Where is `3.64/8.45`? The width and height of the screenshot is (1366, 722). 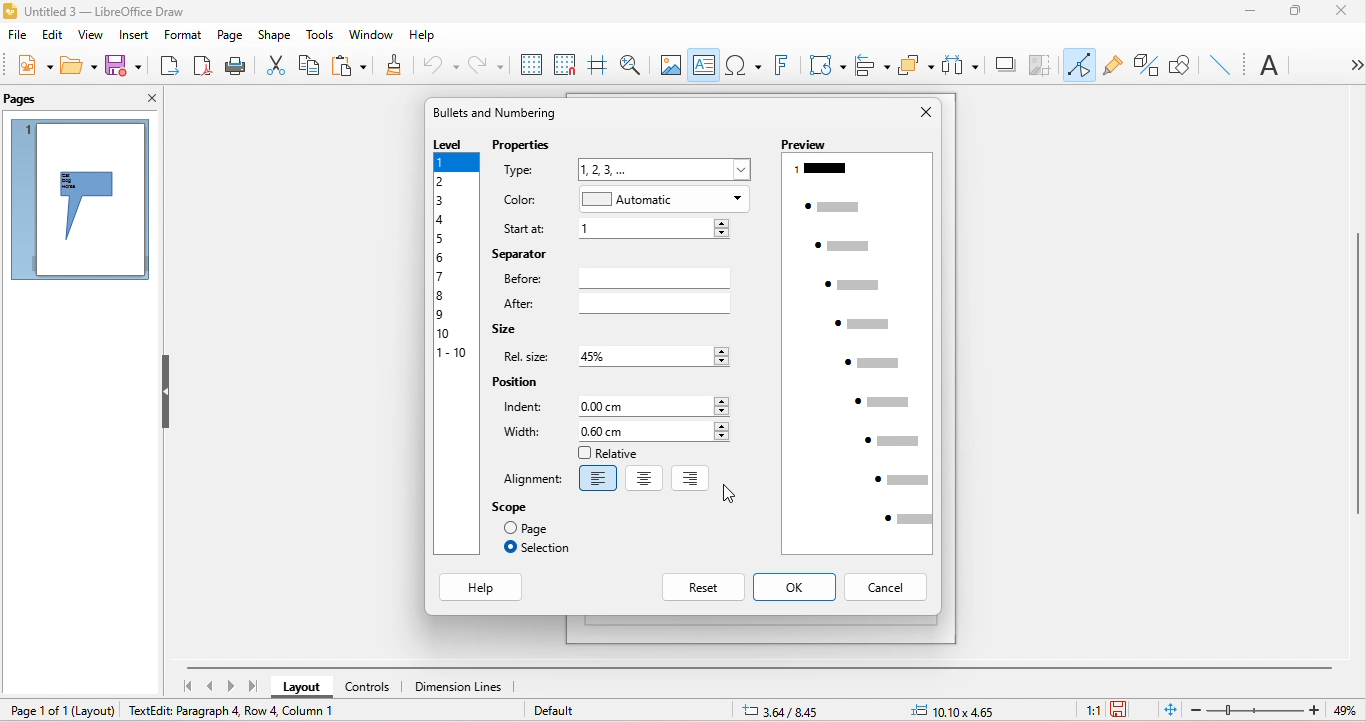
3.64/8.45 is located at coordinates (789, 710).